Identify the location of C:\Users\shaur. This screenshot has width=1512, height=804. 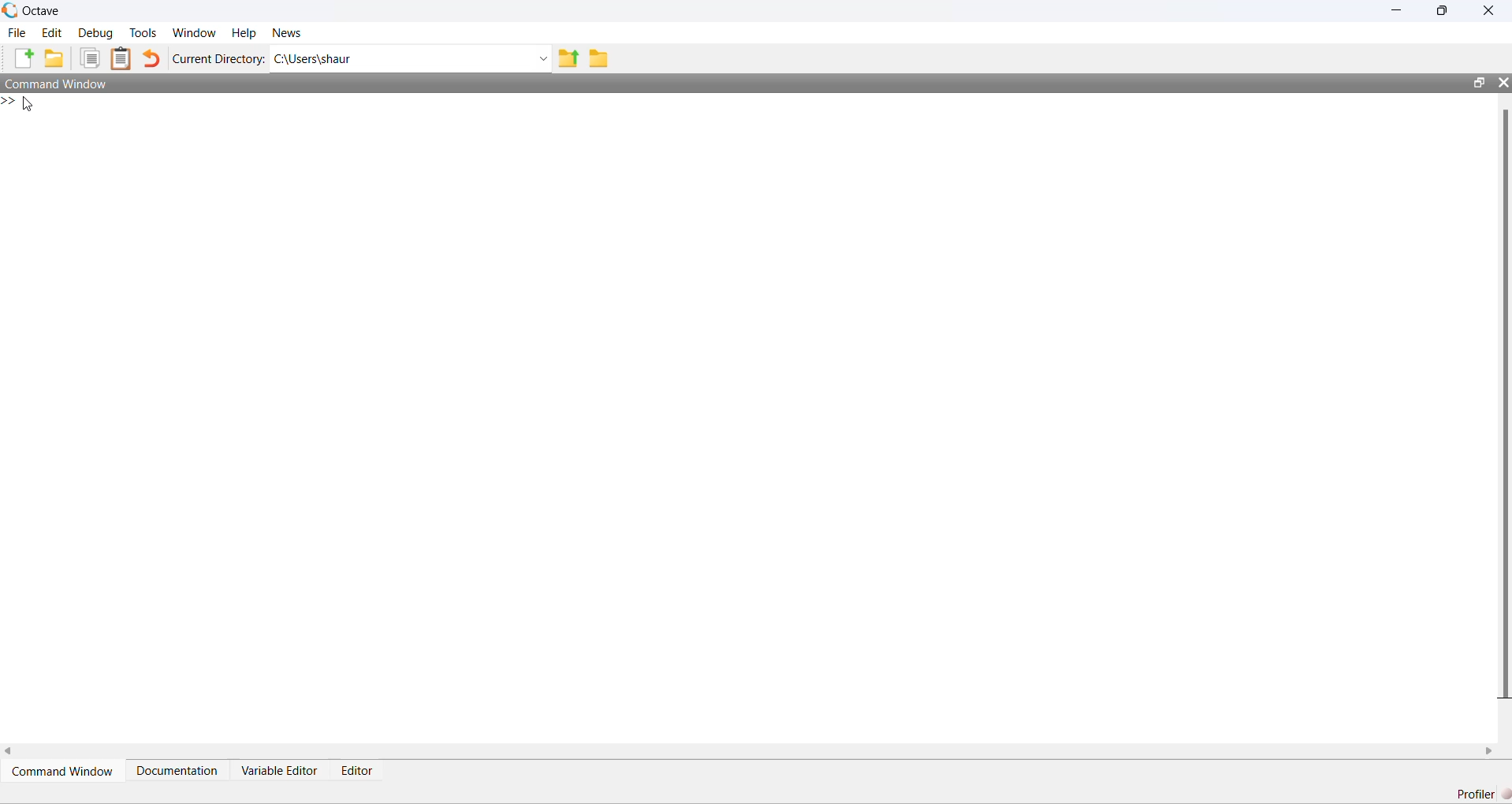
(314, 60).